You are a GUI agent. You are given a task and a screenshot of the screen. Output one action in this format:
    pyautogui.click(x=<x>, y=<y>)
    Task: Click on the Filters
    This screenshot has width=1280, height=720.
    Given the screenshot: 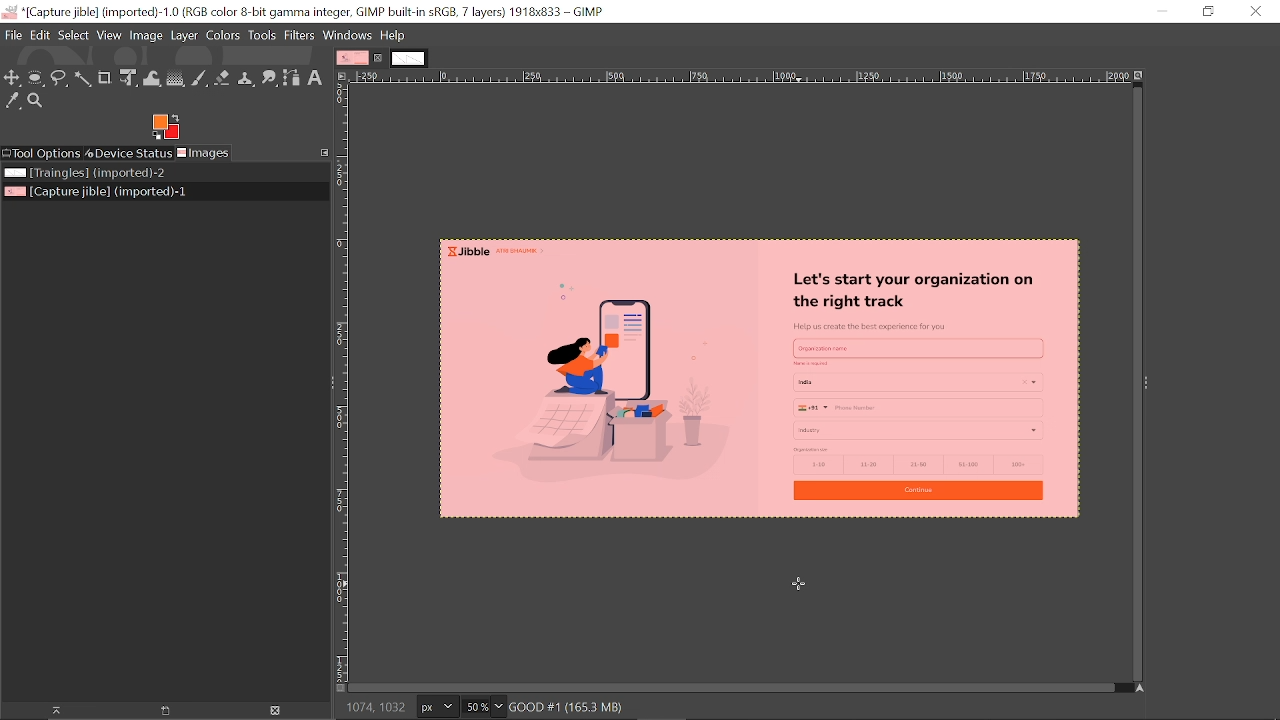 What is the action you would take?
    pyautogui.click(x=300, y=35)
    